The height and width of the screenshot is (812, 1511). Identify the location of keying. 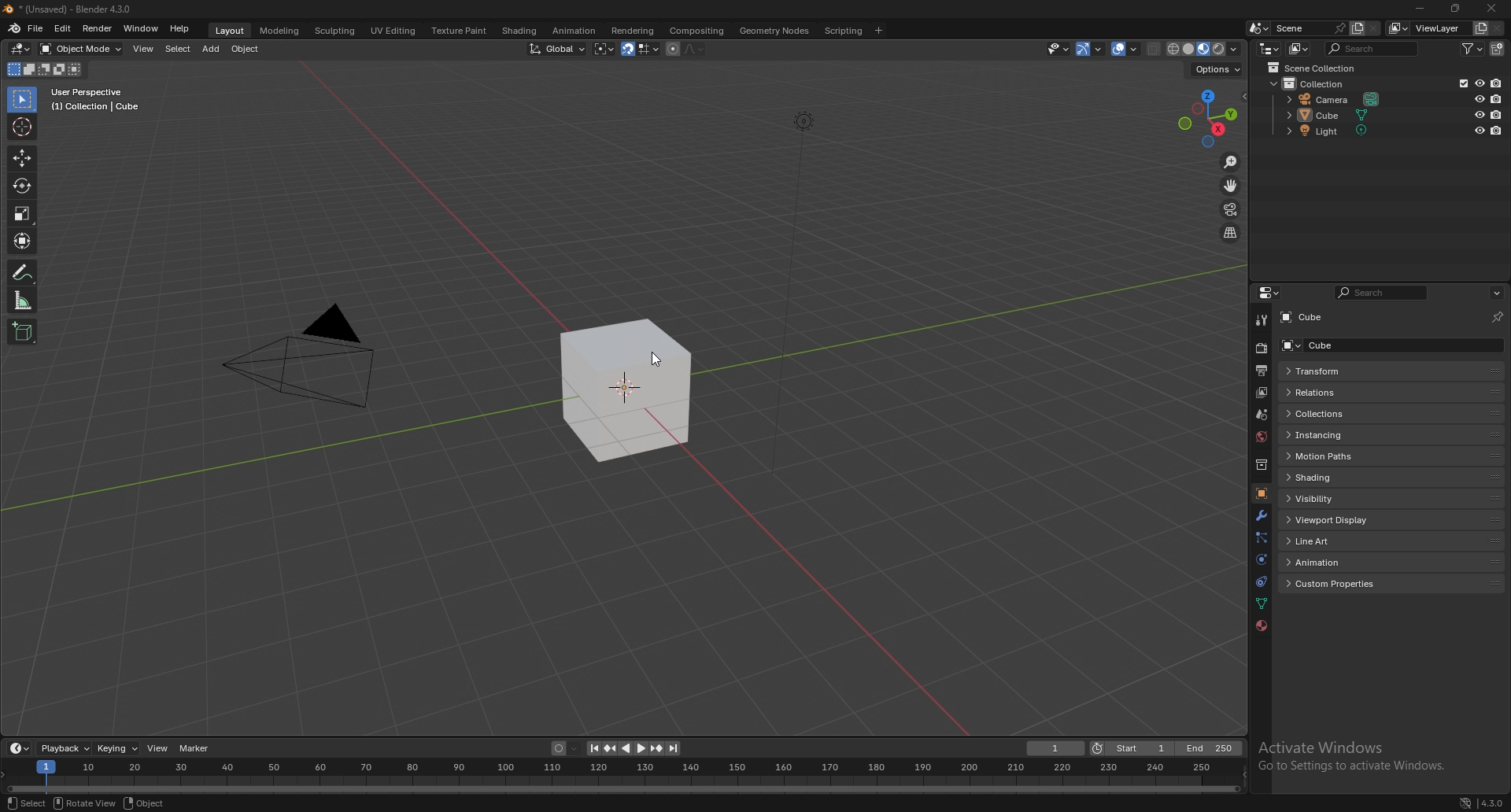
(118, 747).